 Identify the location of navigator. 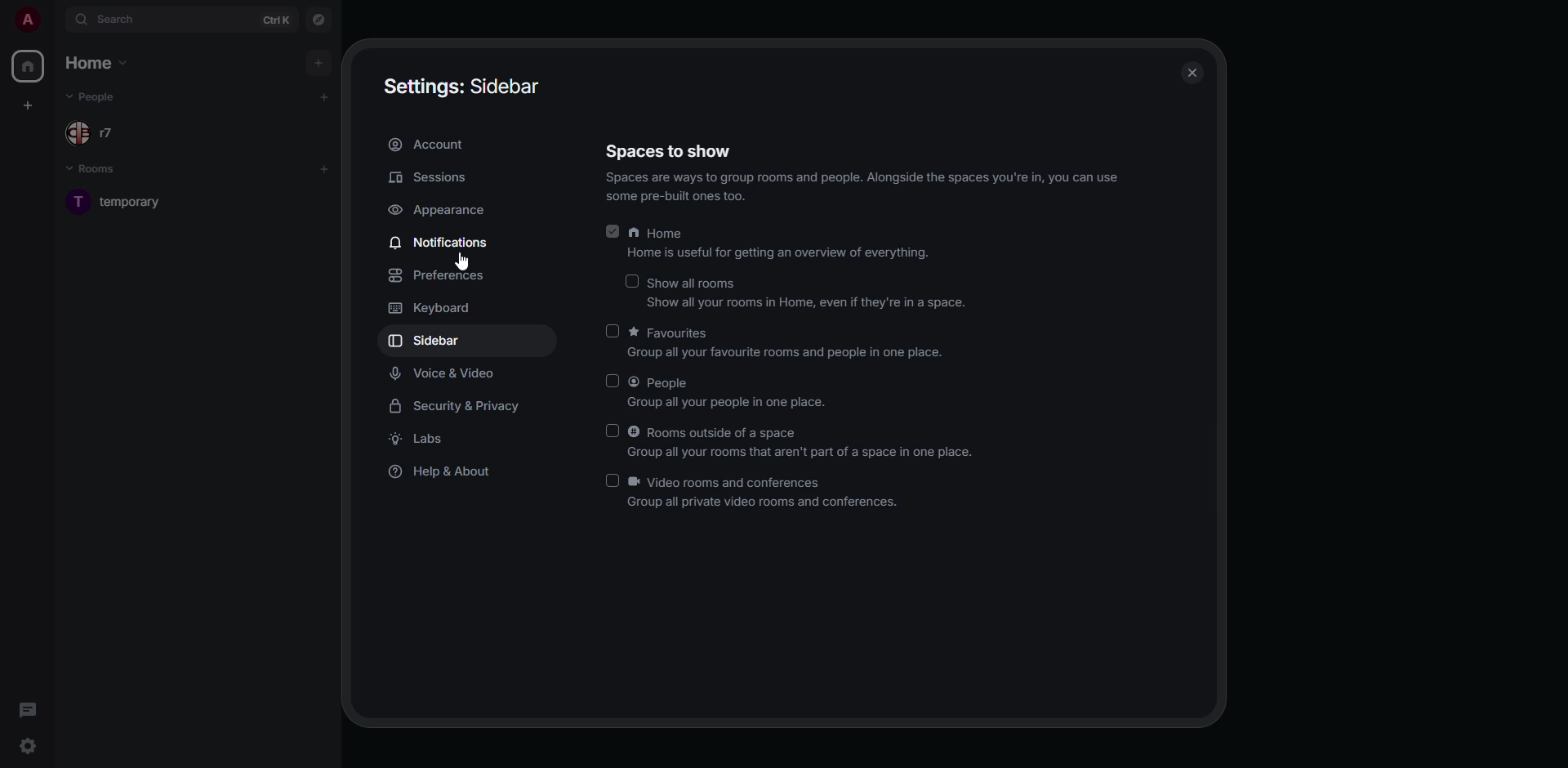
(318, 20).